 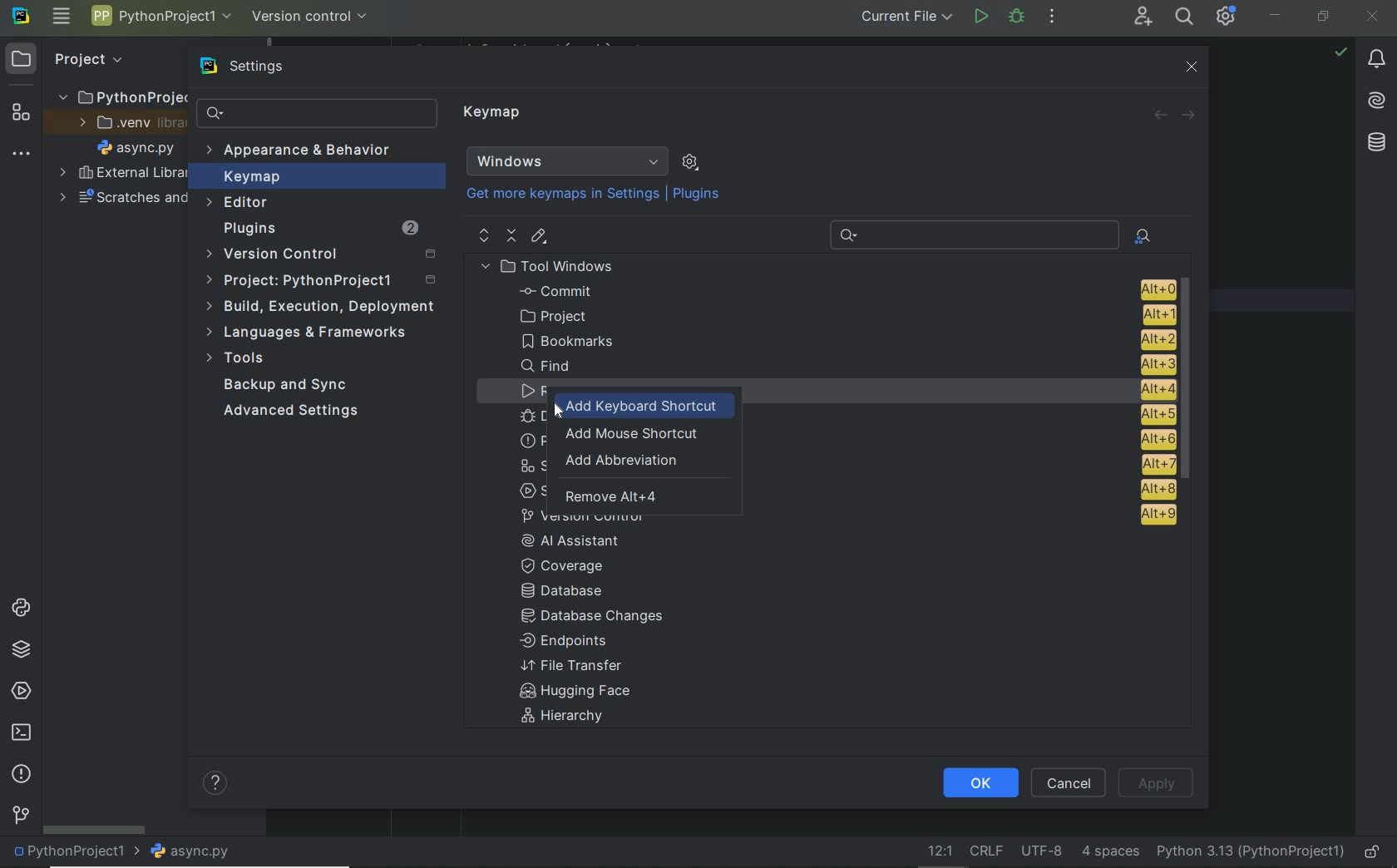 What do you see at coordinates (540, 238) in the screenshot?
I see `editor shortcut` at bounding box center [540, 238].